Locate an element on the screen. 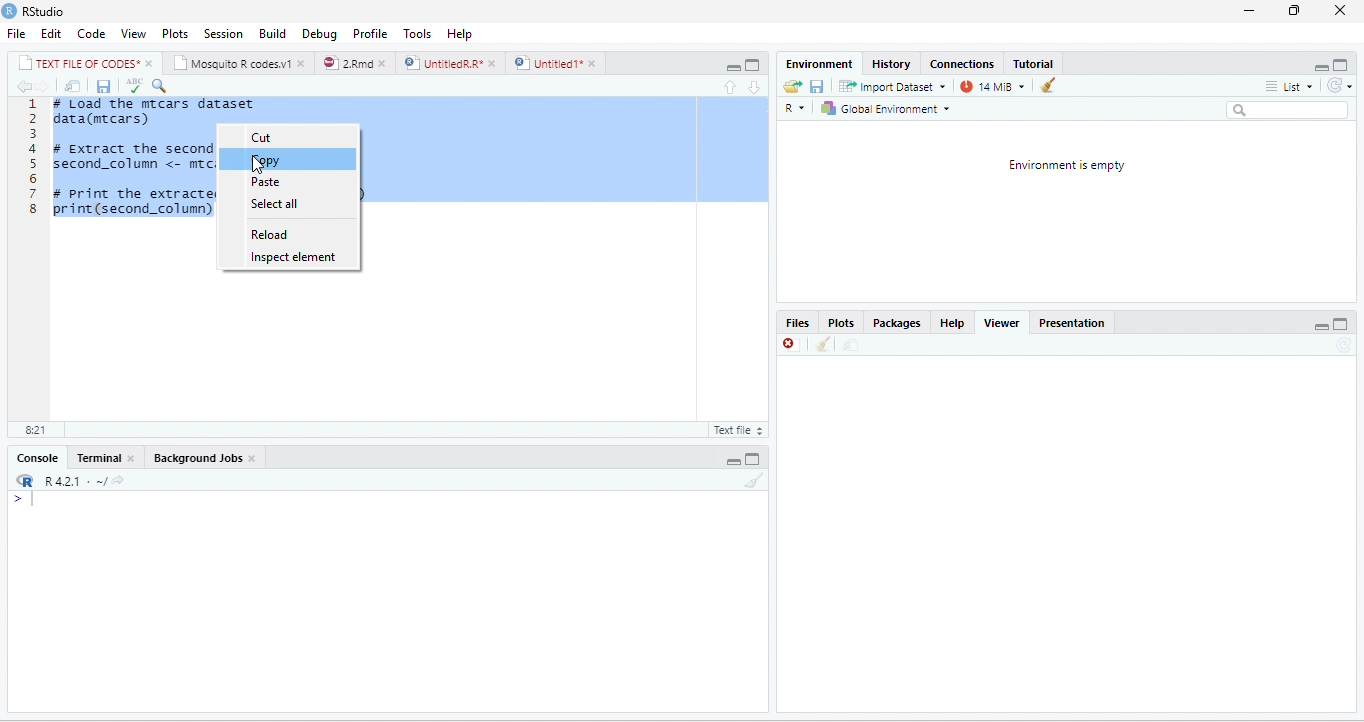 This screenshot has height=722, width=1364. list is located at coordinates (1291, 87).